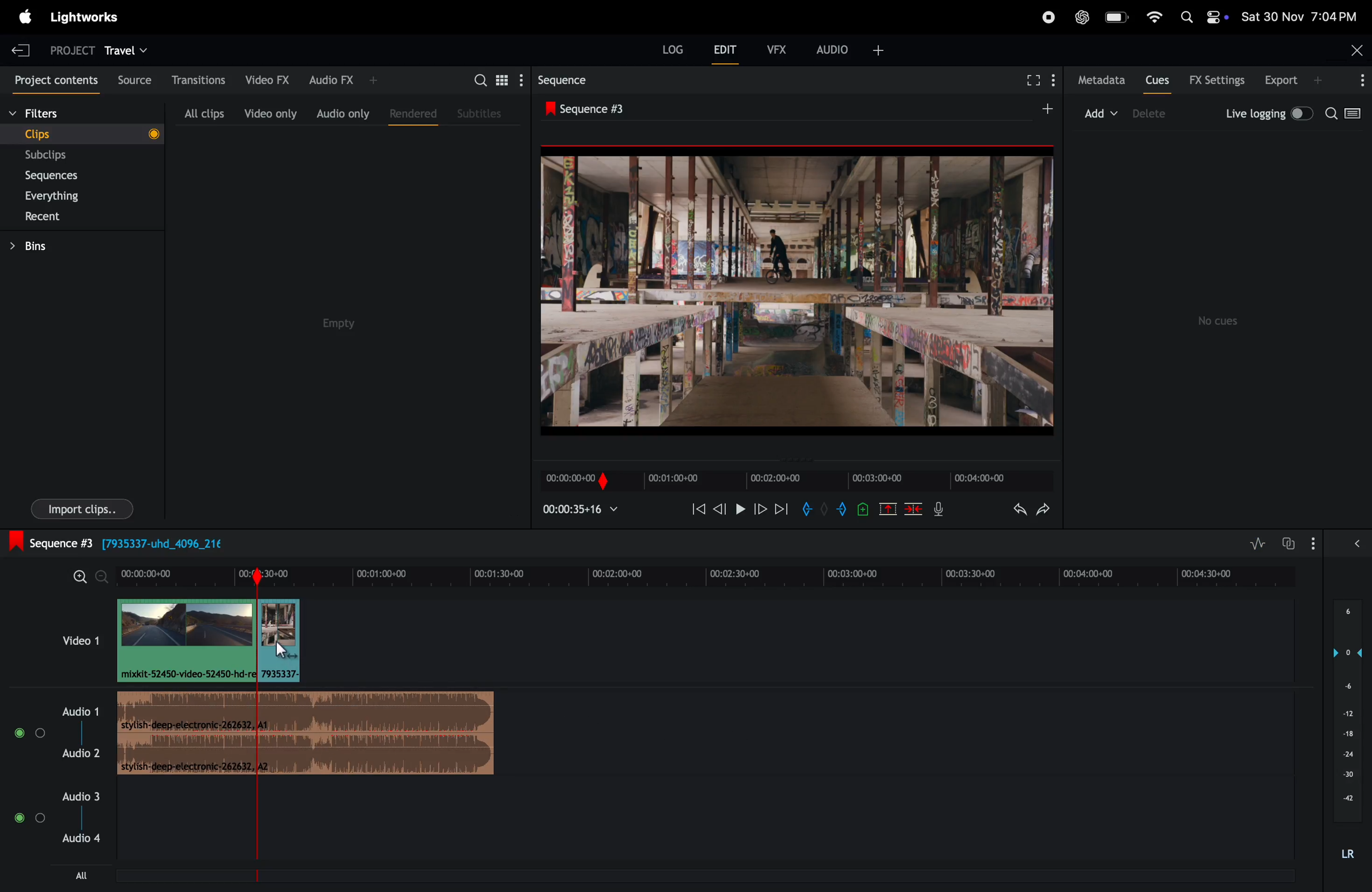 This screenshot has width=1372, height=892. Describe the element at coordinates (64, 155) in the screenshot. I see `subclips` at that location.